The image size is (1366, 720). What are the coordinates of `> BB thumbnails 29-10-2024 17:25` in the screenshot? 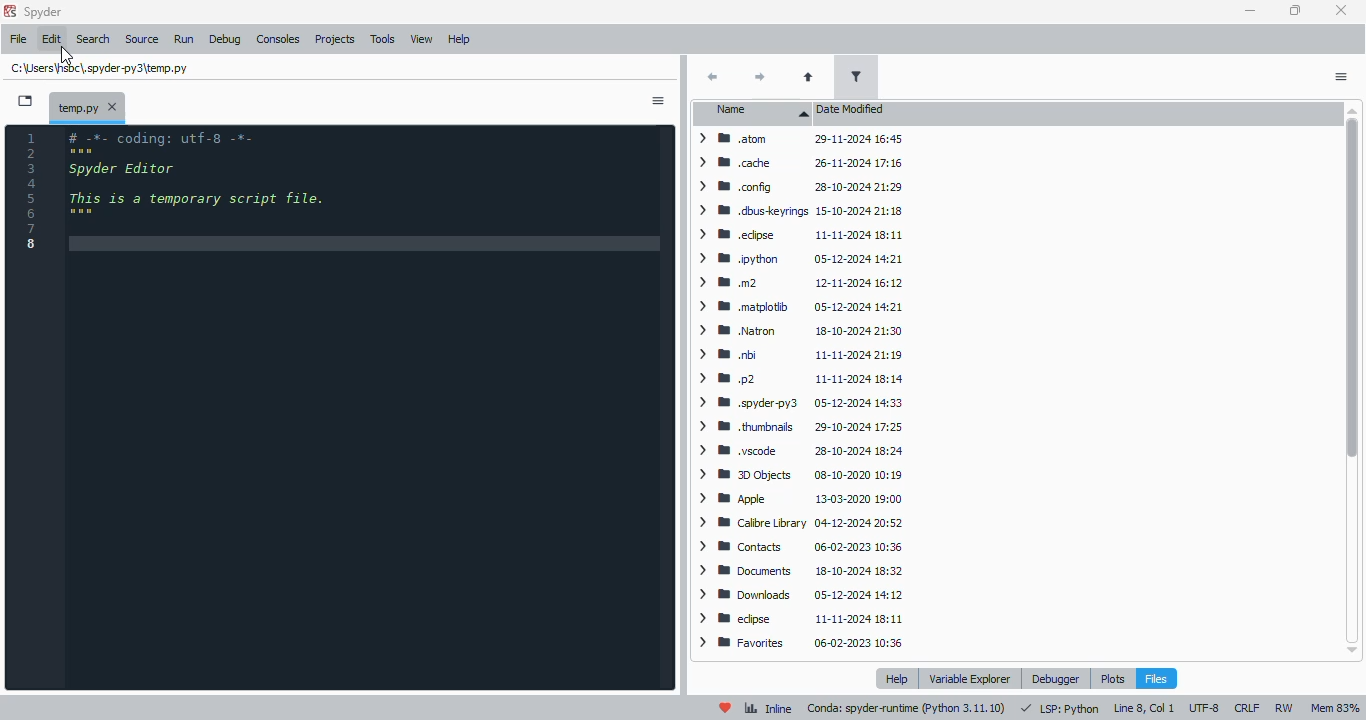 It's located at (800, 427).